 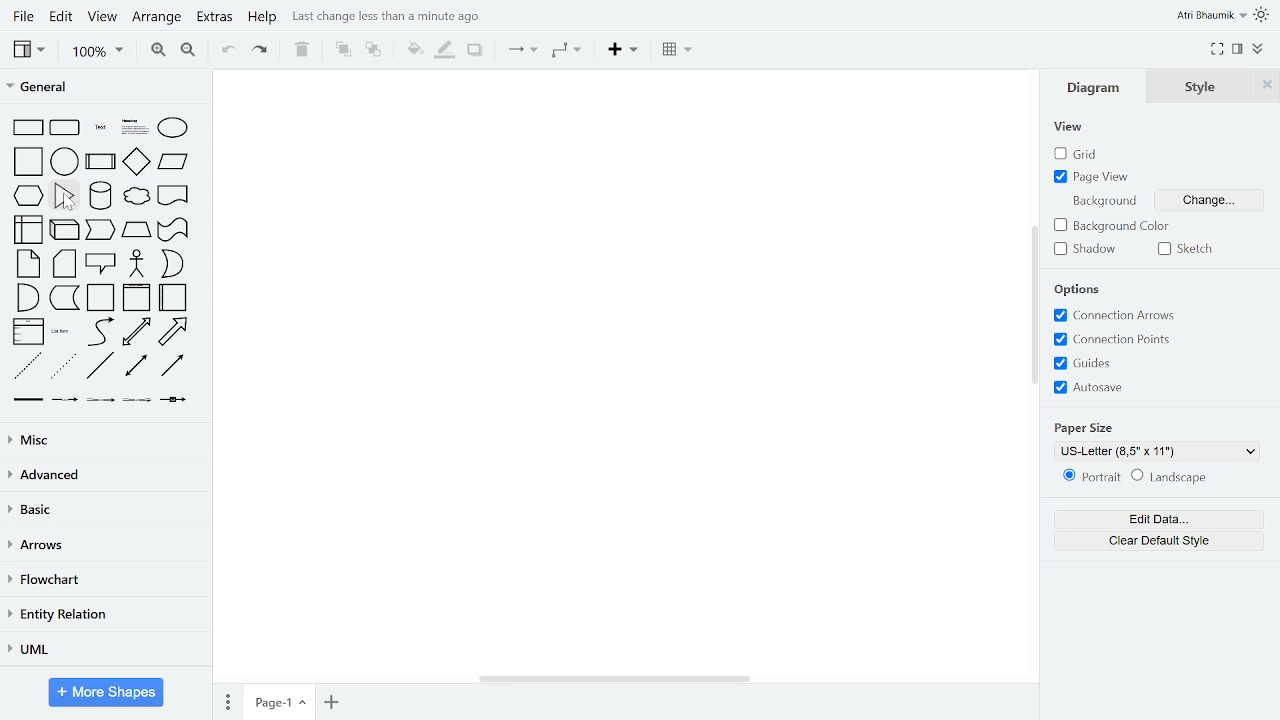 I want to click on horizontal scrollbar, so click(x=614, y=679).